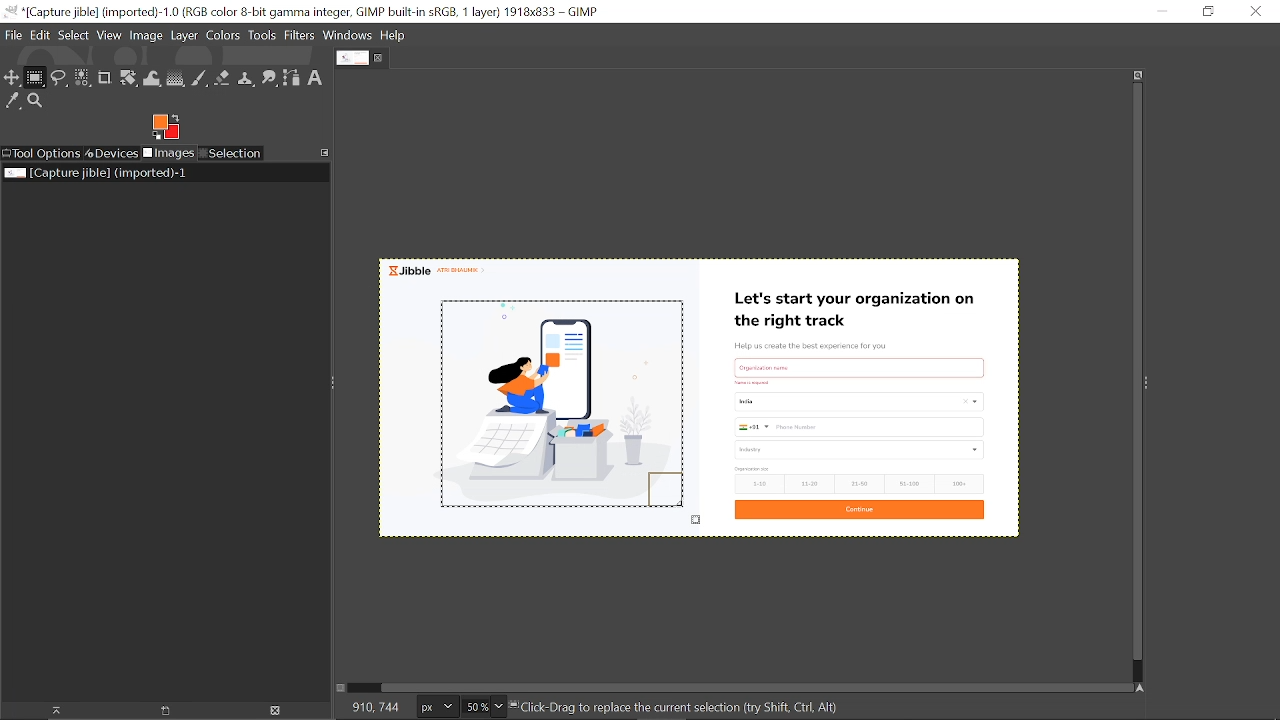  I want to click on Image, so click(146, 37).